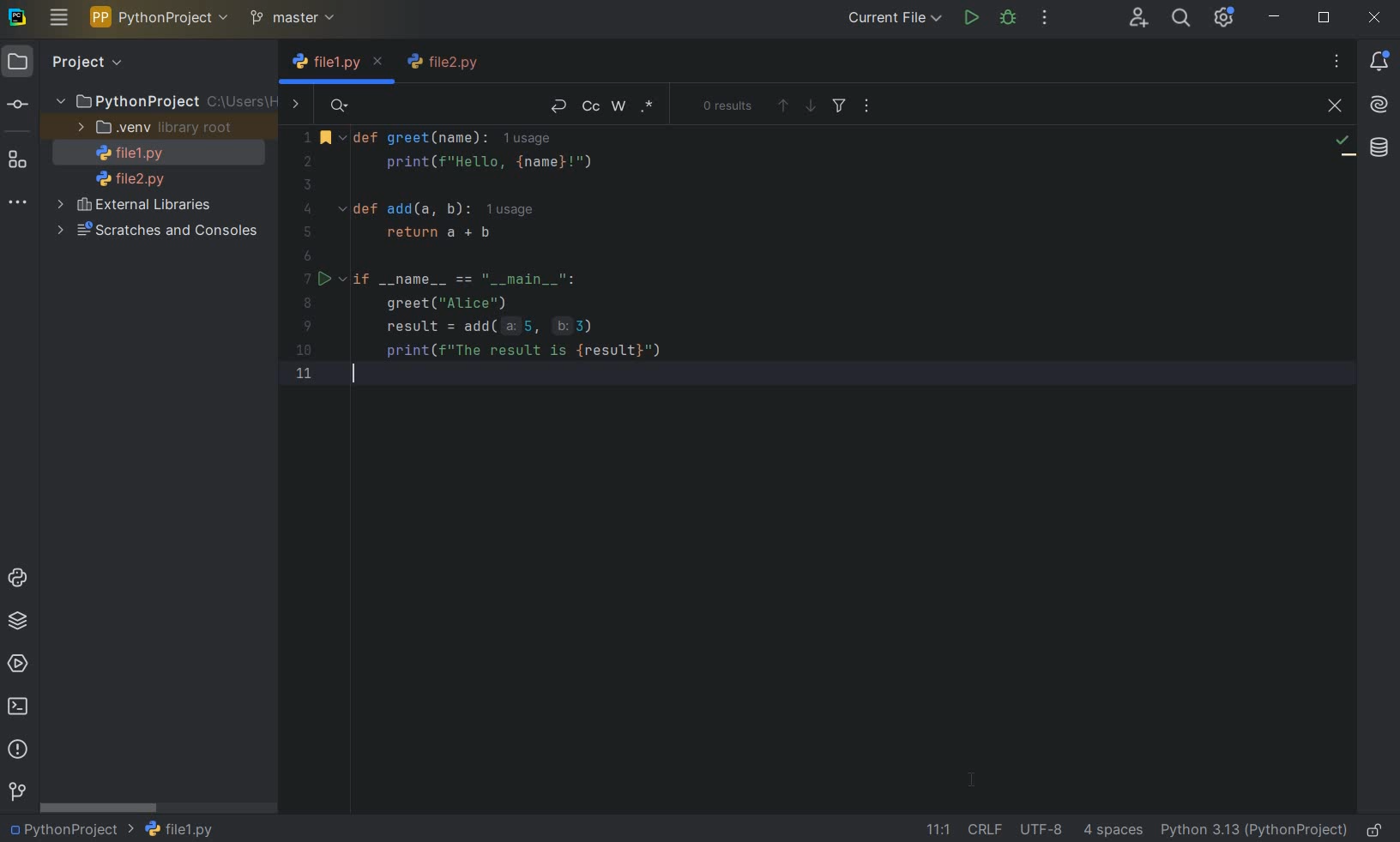 The height and width of the screenshot is (842, 1400). I want to click on PYTHON CONSOLE, so click(20, 574).